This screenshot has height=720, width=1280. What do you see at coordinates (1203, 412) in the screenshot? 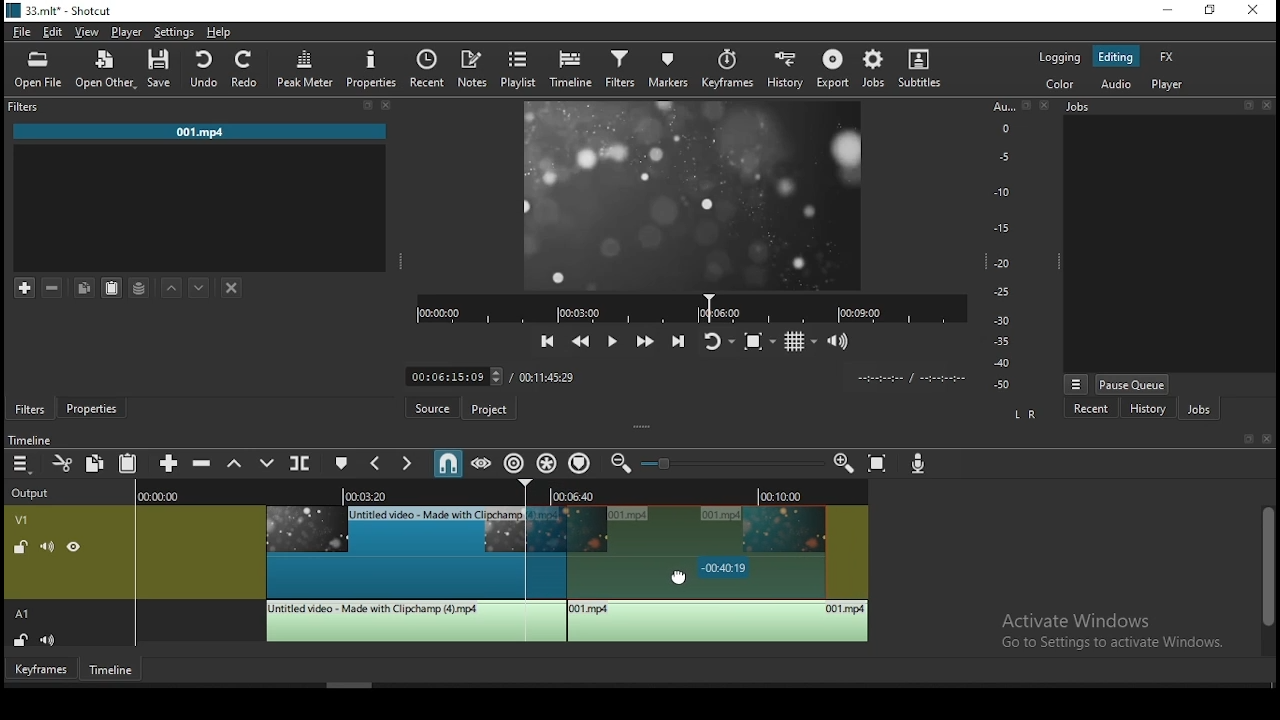
I see `jobs` at bounding box center [1203, 412].